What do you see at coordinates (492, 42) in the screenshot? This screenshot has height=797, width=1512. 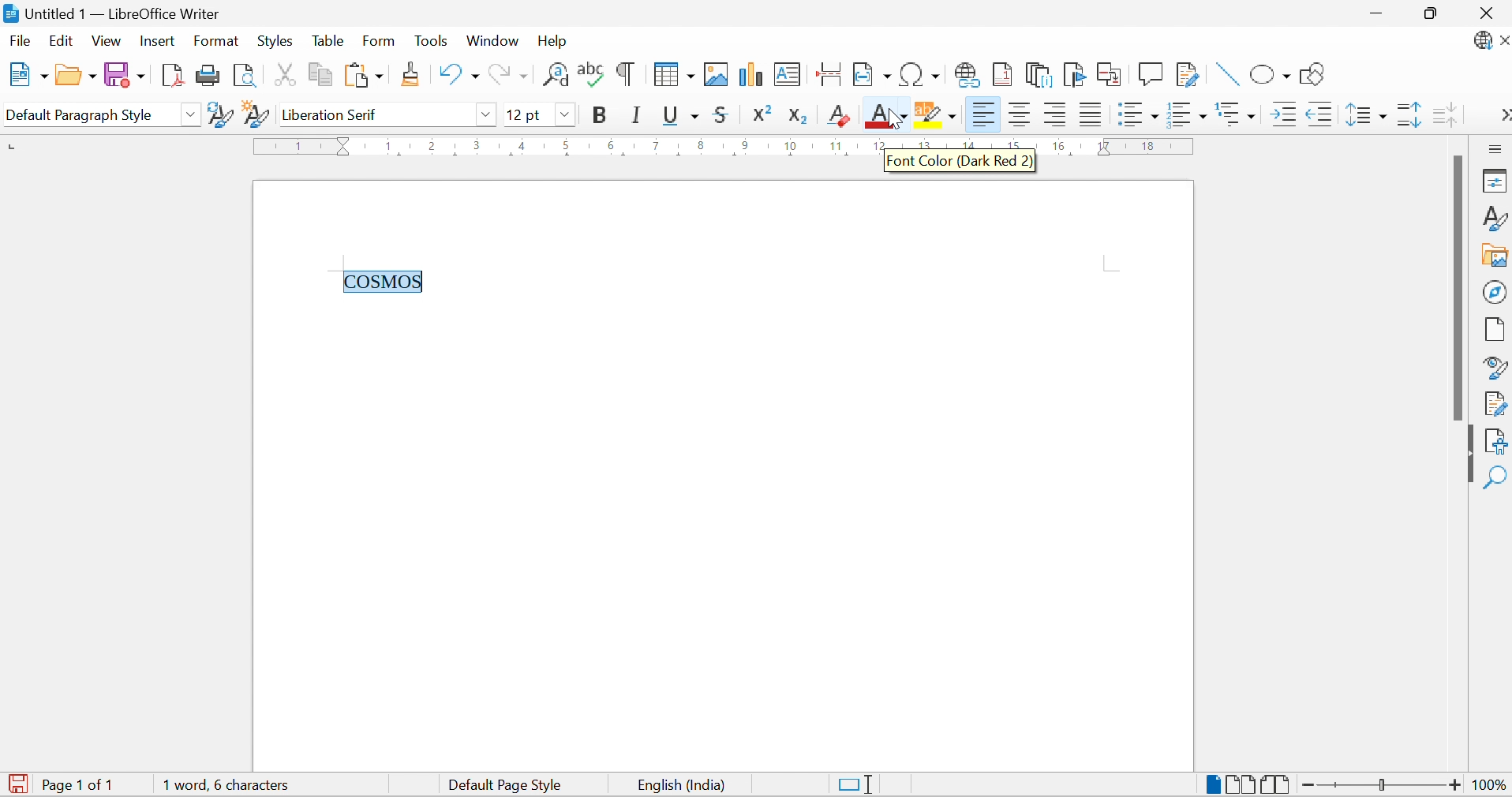 I see `Window` at bounding box center [492, 42].